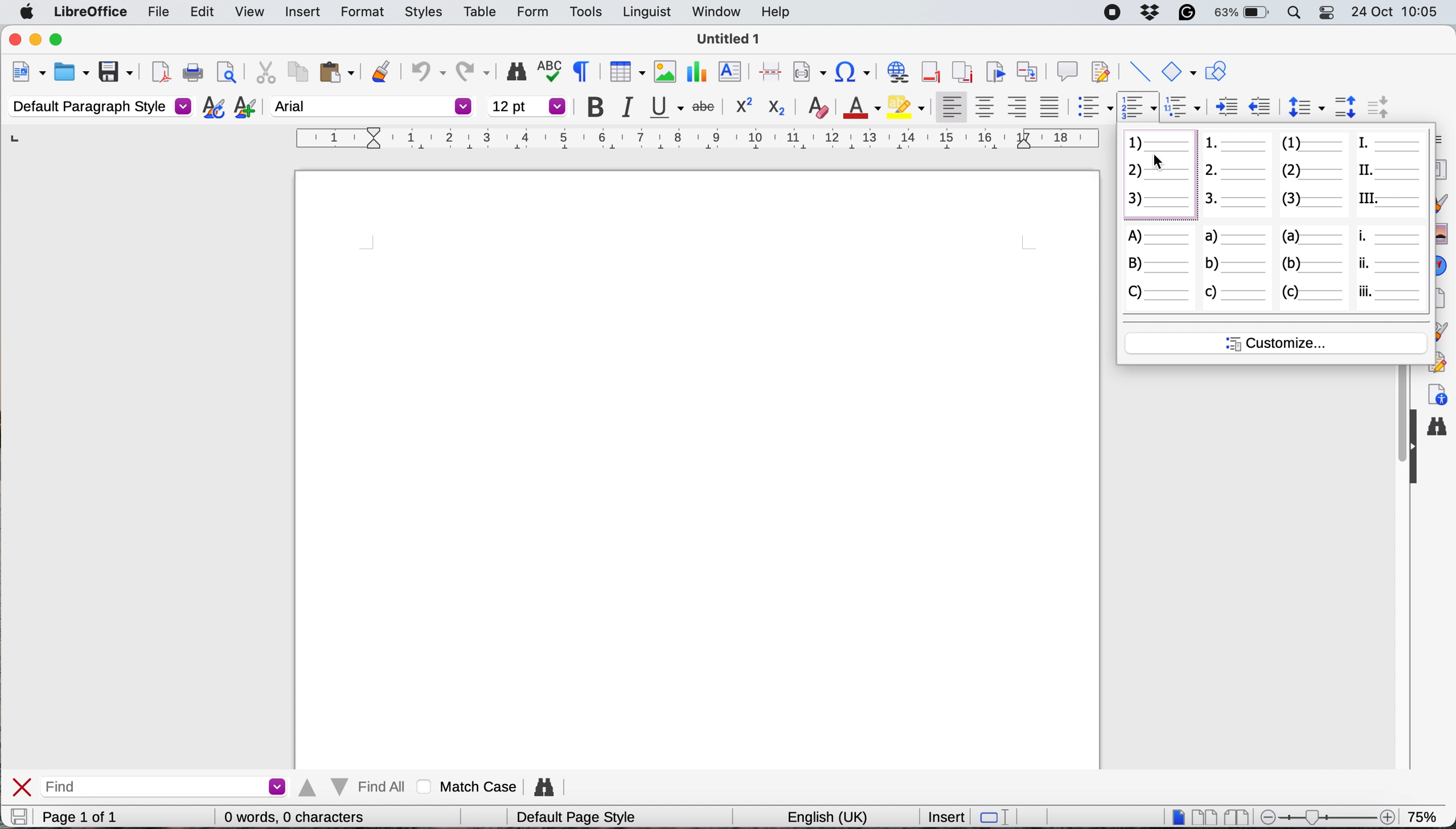 Image resolution: width=1456 pixels, height=829 pixels. Describe the element at coordinates (1178, 816) in the screenshot. I see `single page view` at that location.